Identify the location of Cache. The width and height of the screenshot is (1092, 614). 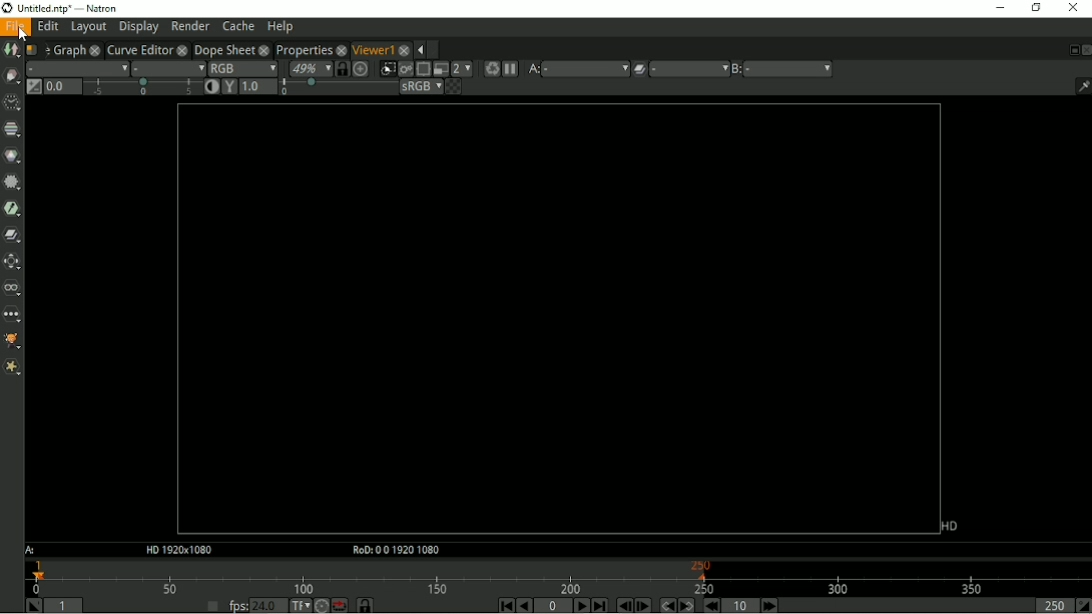
(238, 26).